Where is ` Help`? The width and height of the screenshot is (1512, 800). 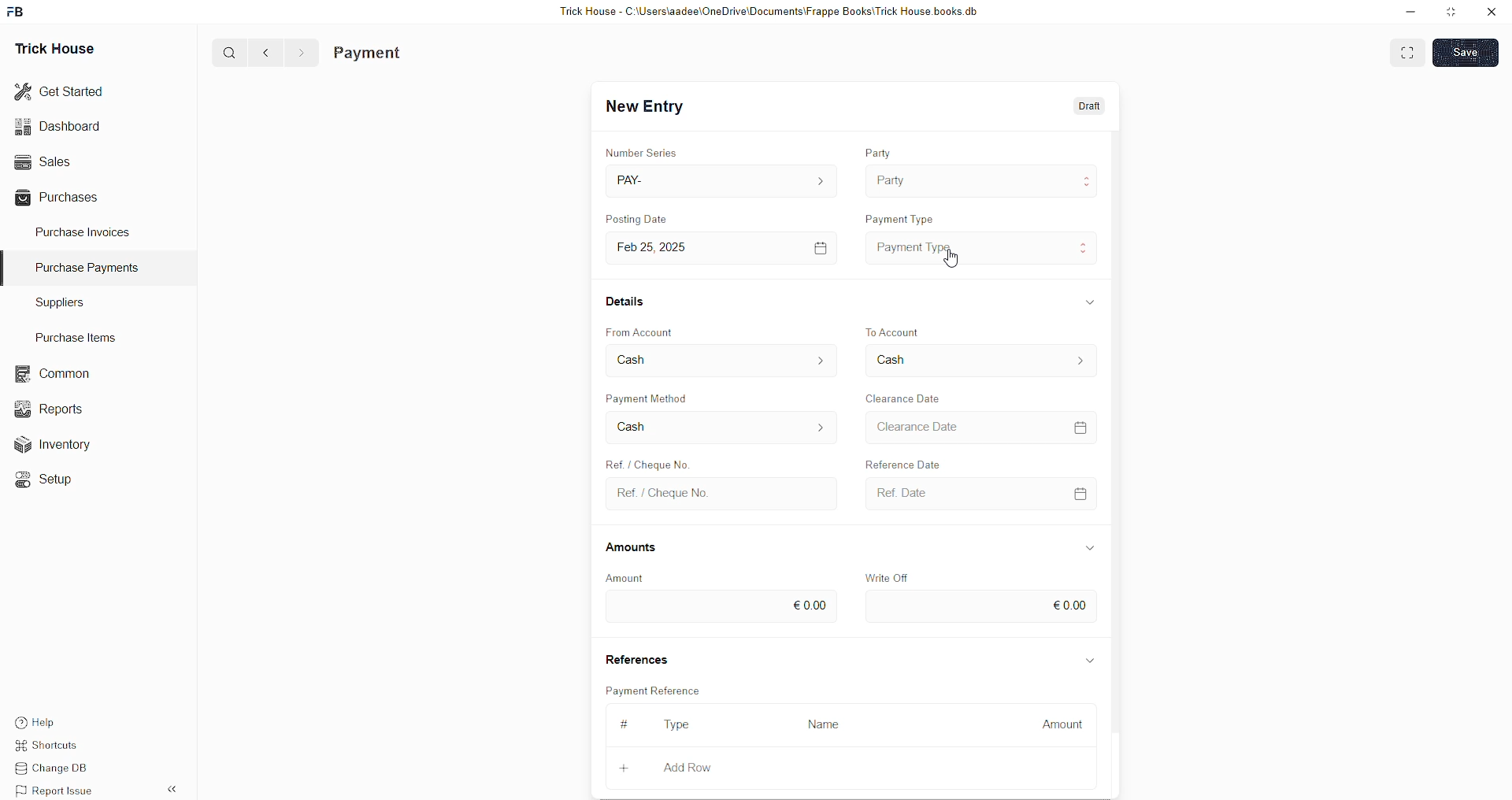  Help is located at coordinates (59, 720).